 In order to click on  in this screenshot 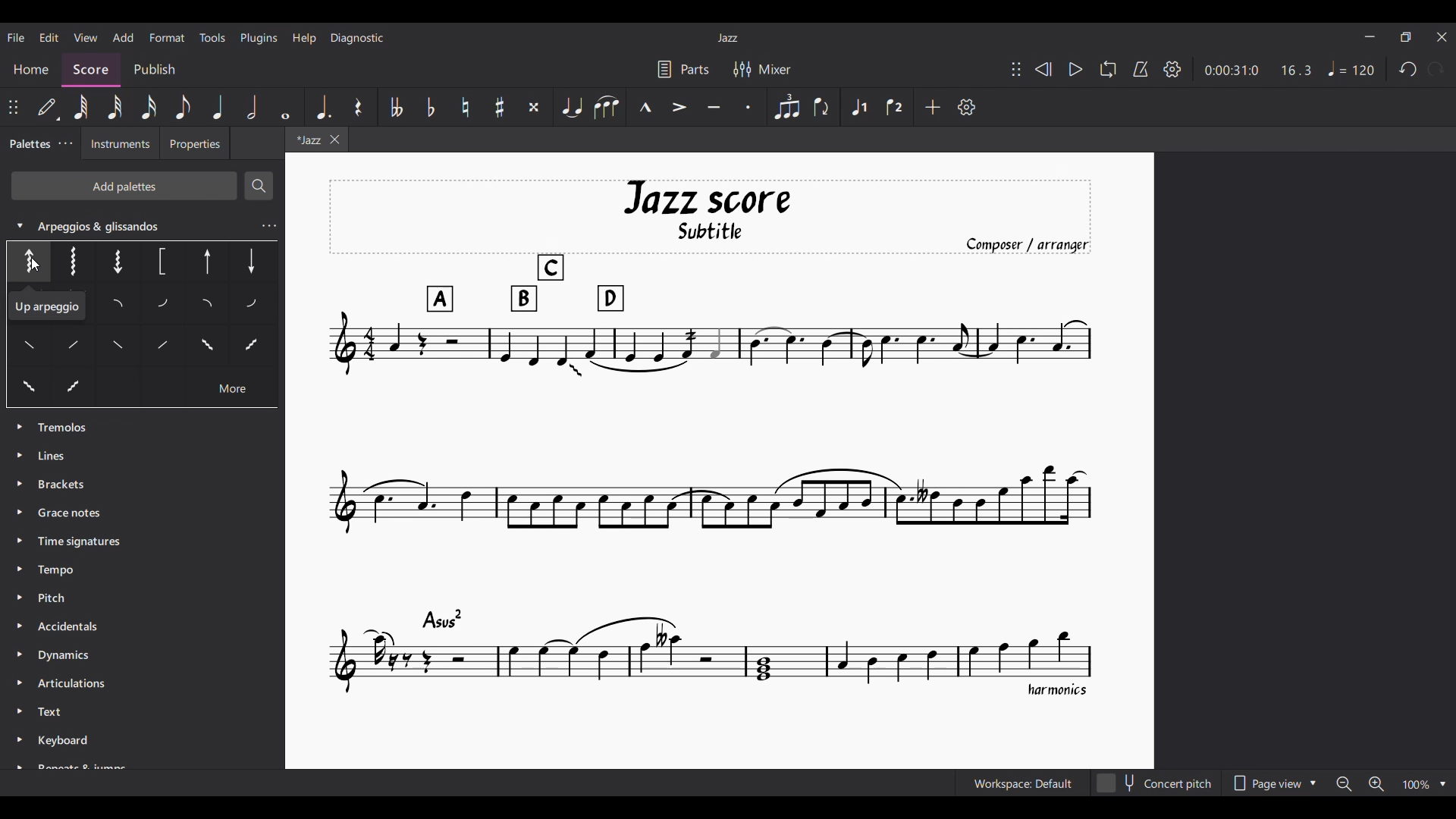, I will do `click(252, 306)`.